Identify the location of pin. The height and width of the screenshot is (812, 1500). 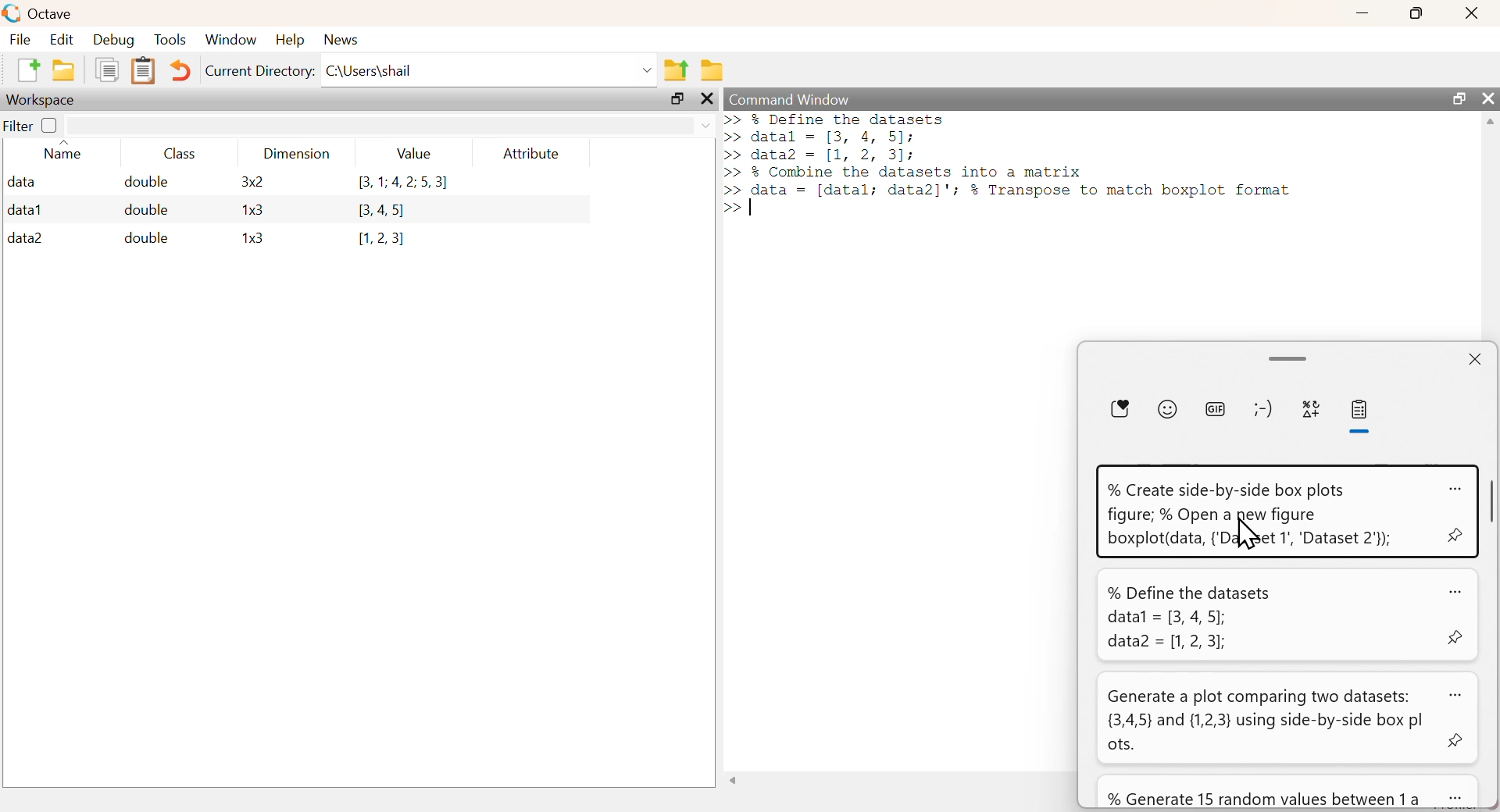
(1457, 743).